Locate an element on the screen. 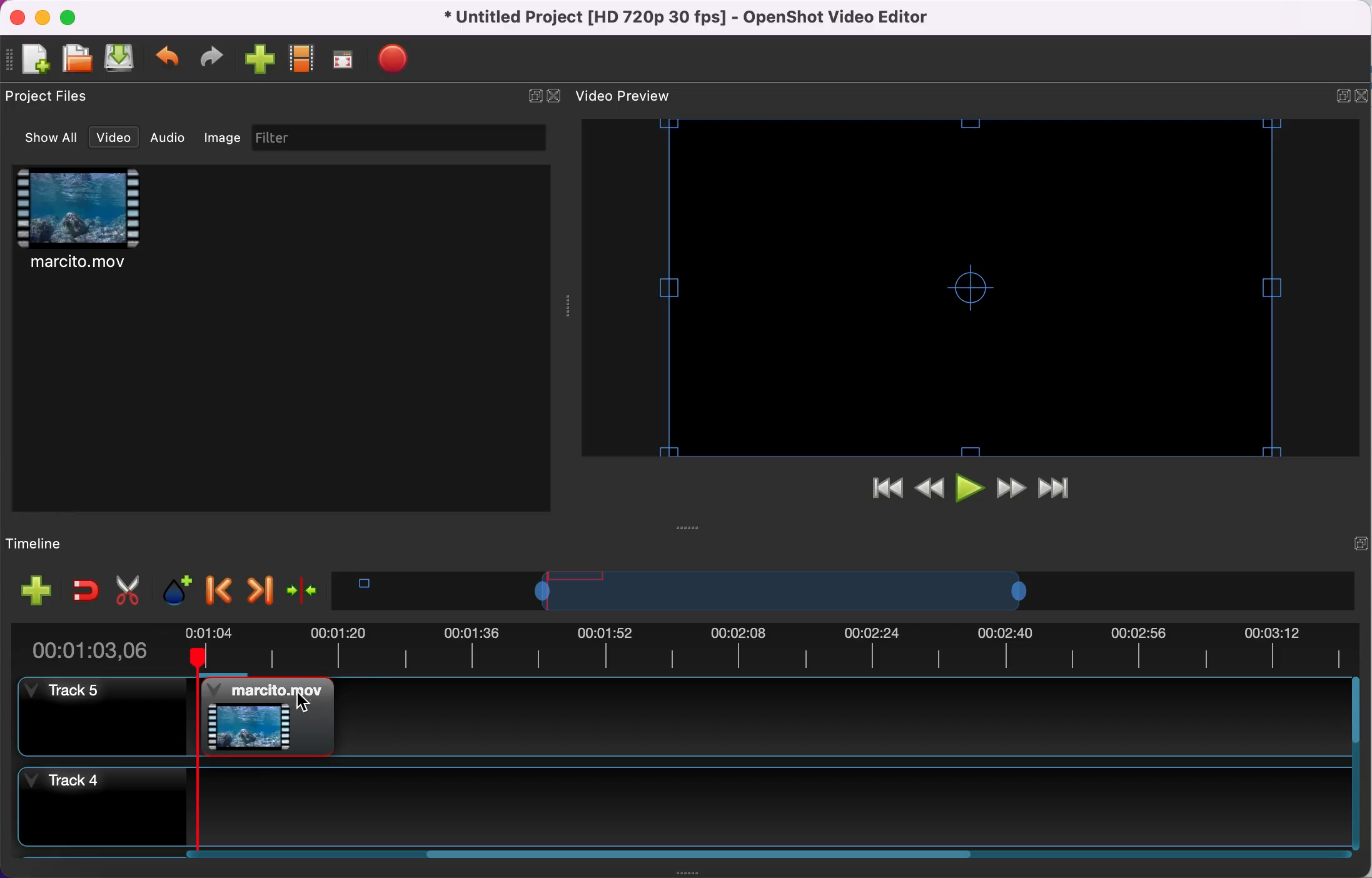  minimize is located at coordinates (43, 18).